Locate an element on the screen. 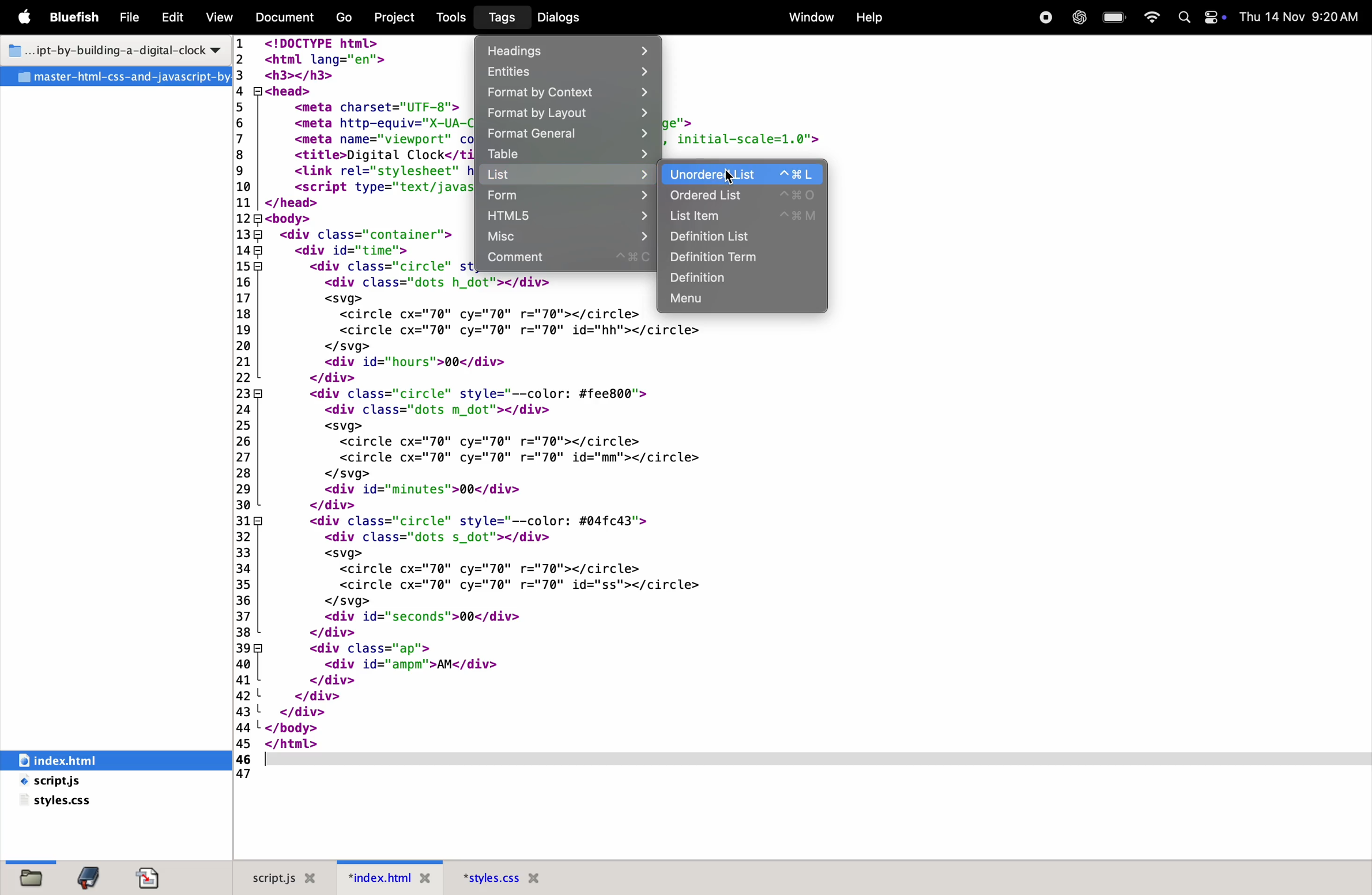 The image size is (1372, 895). window is located at coordinates (809, 16).